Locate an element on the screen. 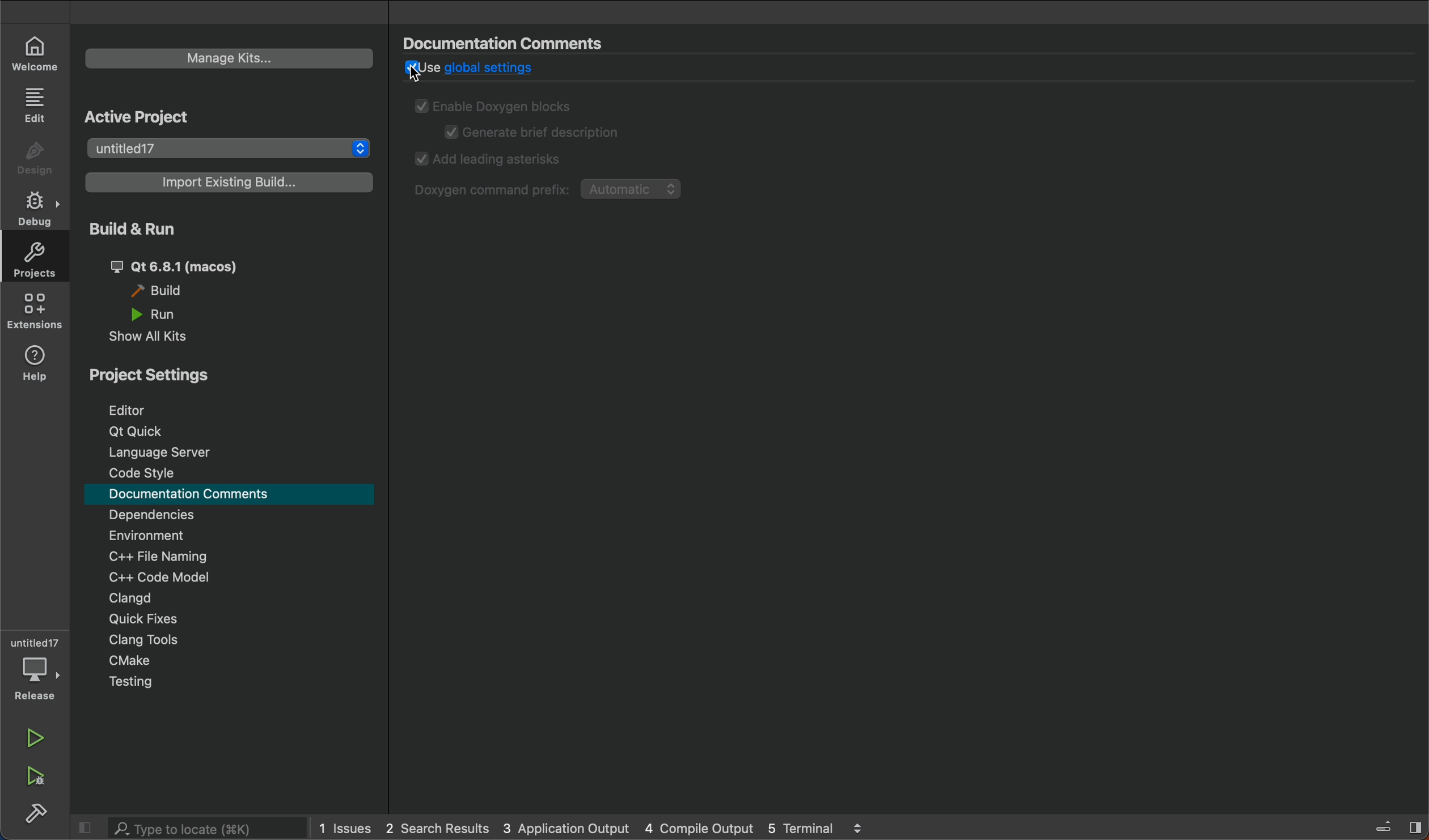 The image size is (1429, 840). build is located at coordinates (174, 289).